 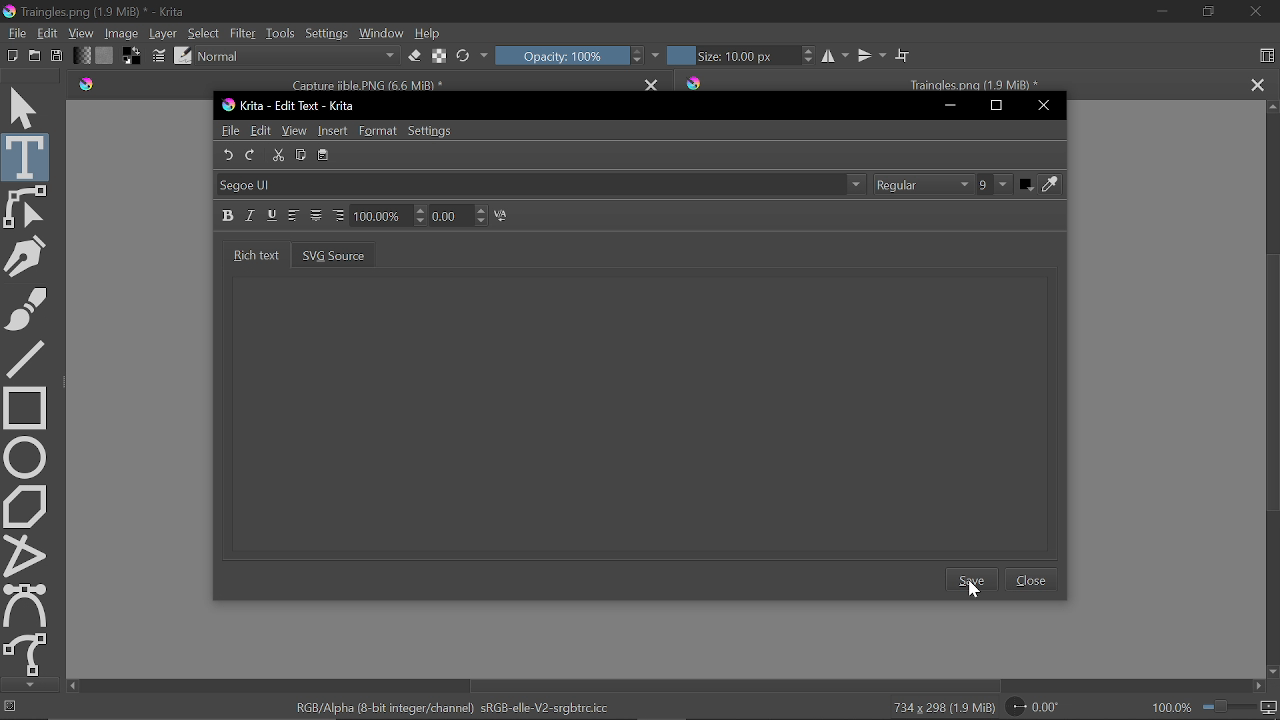 I want to click on Traingles.png (1.9 MiB) * - Krita, so click(x=95, y=12).